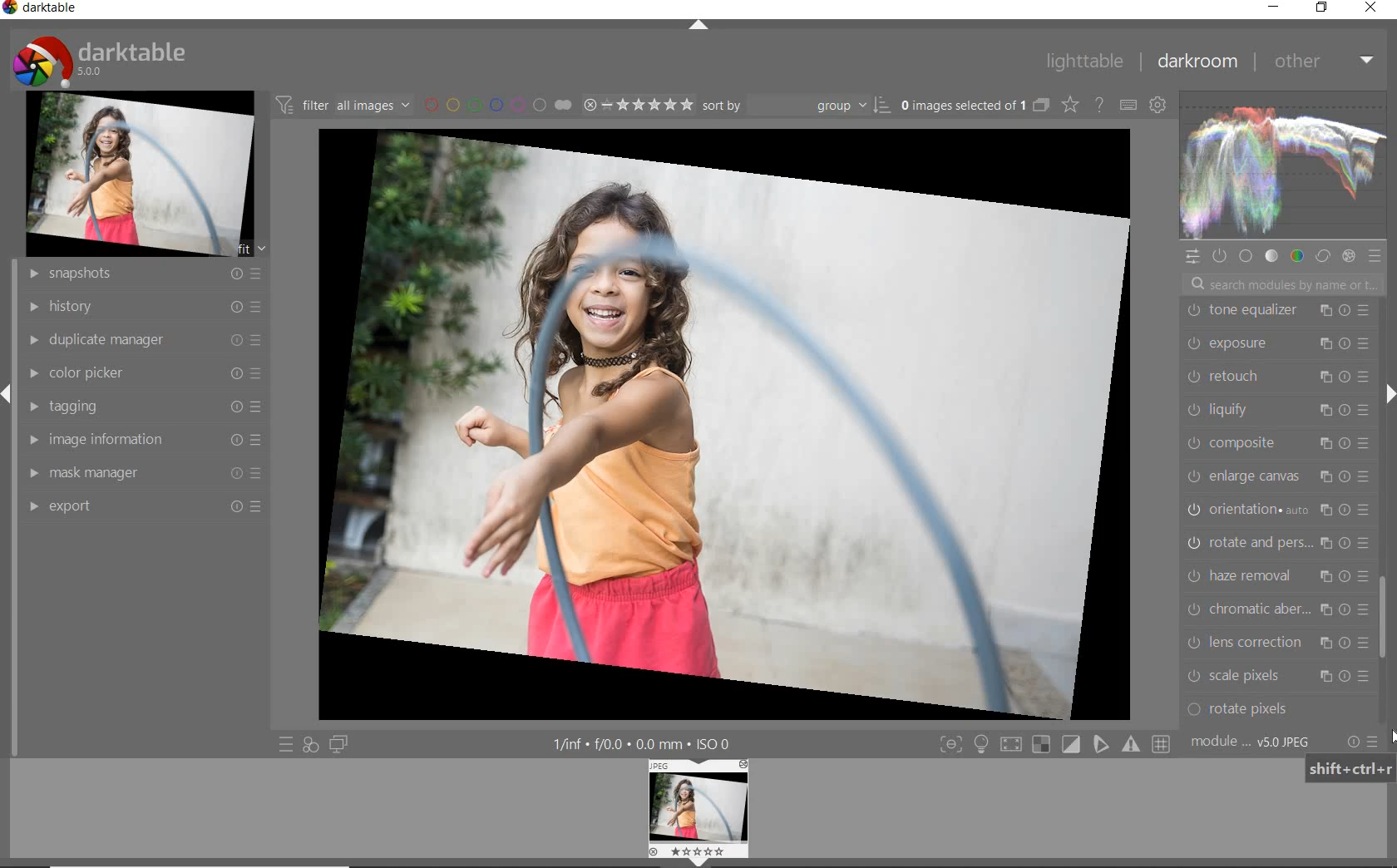 This screenshot has height=868, width=1397. Describe the element at coordinates (1084, 62) in the screenshot. I see `lighttable` at that location.